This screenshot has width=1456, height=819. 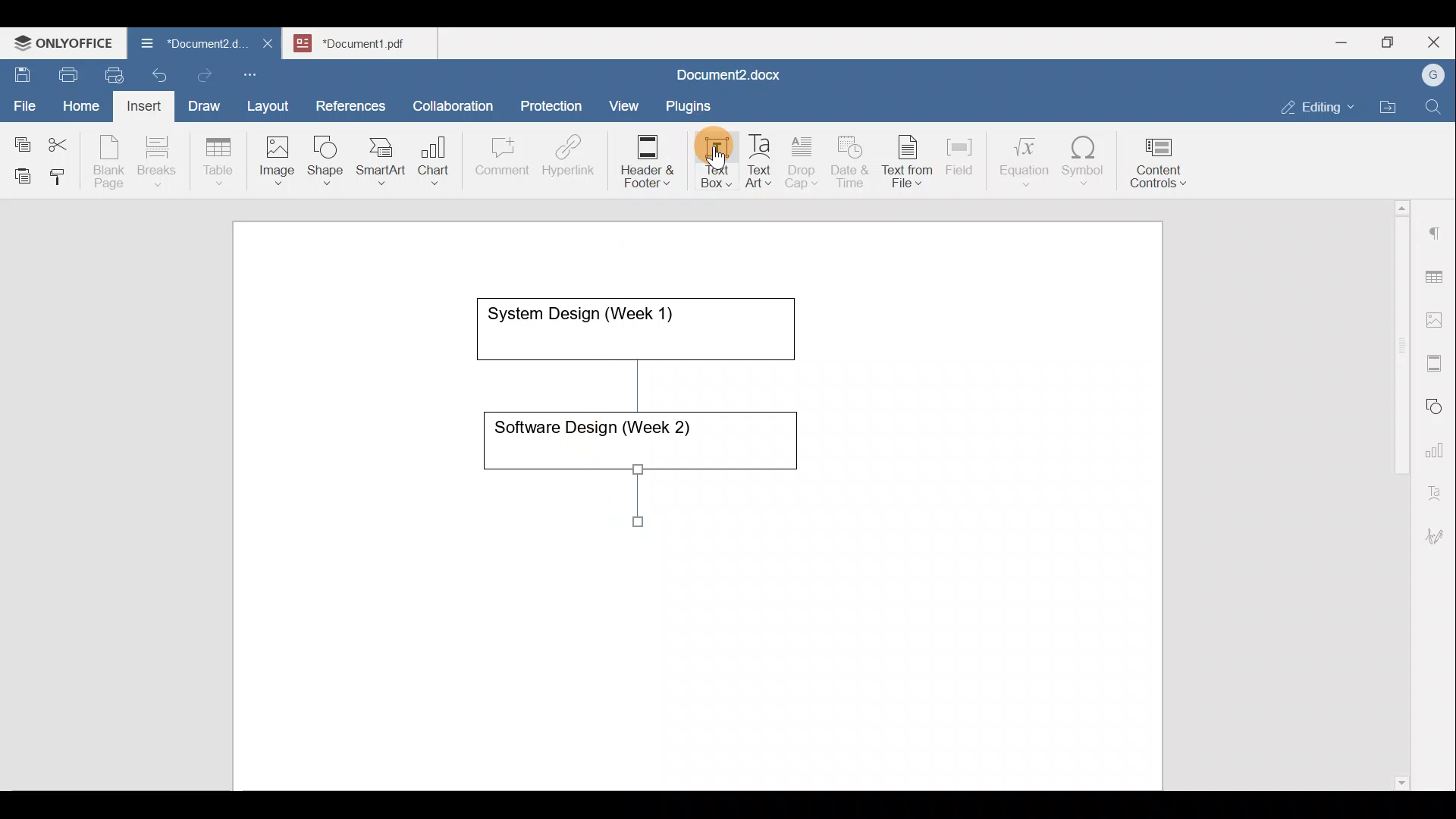 I want to click on Content controls, so click(x=1161, y=168).